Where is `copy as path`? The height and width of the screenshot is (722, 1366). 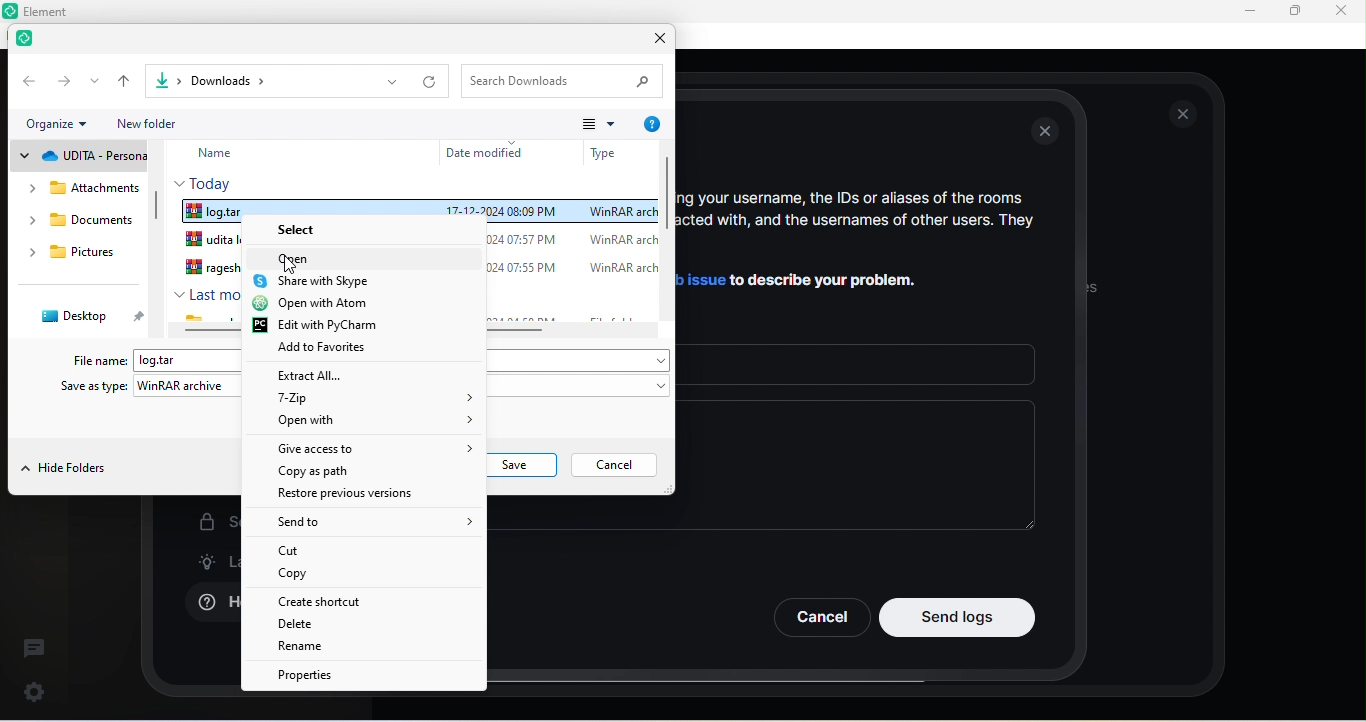 copy as path is located at coordinates (350, 472).